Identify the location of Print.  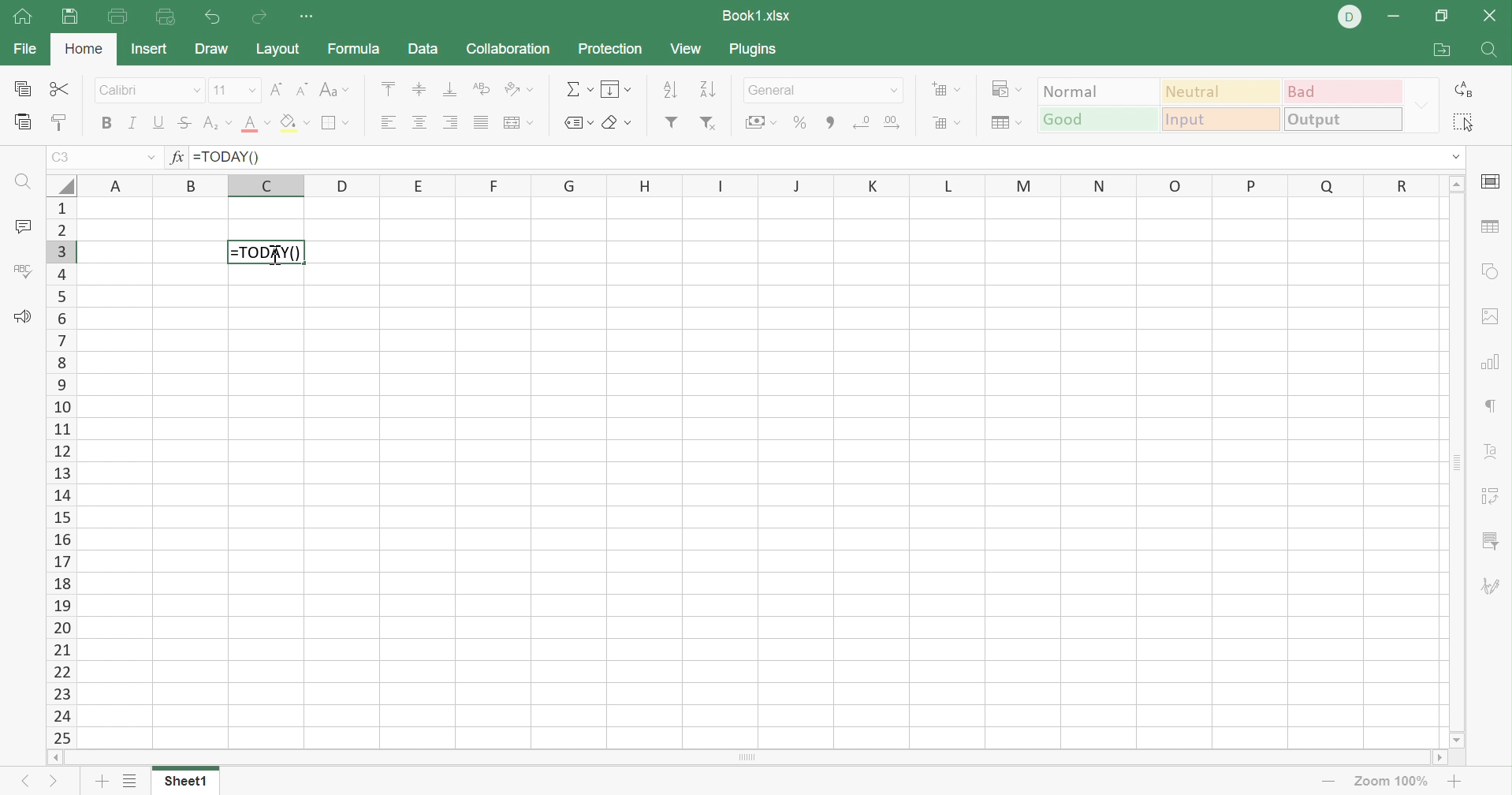
(115, 17).